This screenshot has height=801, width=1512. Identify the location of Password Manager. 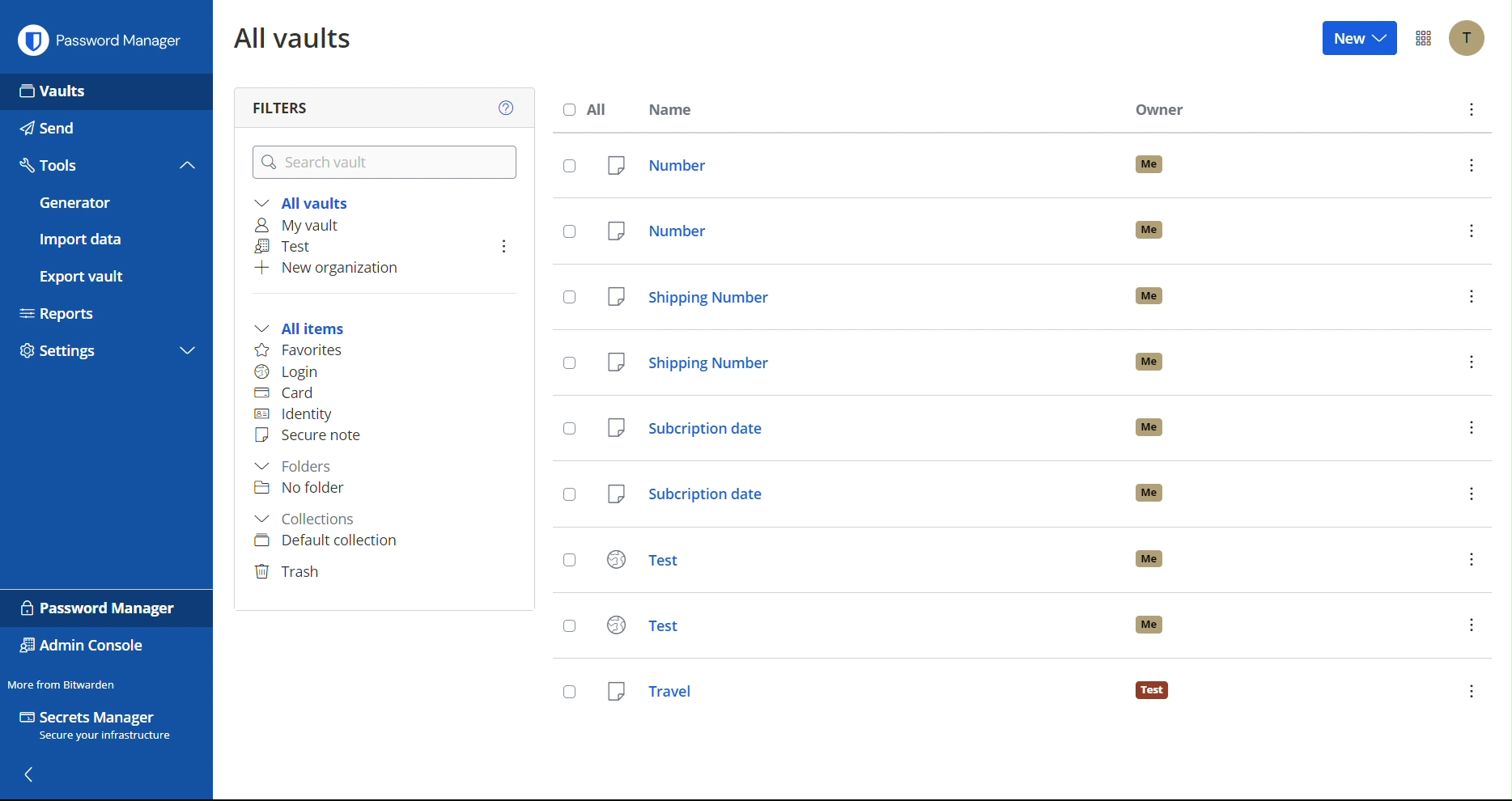
(100, 608).